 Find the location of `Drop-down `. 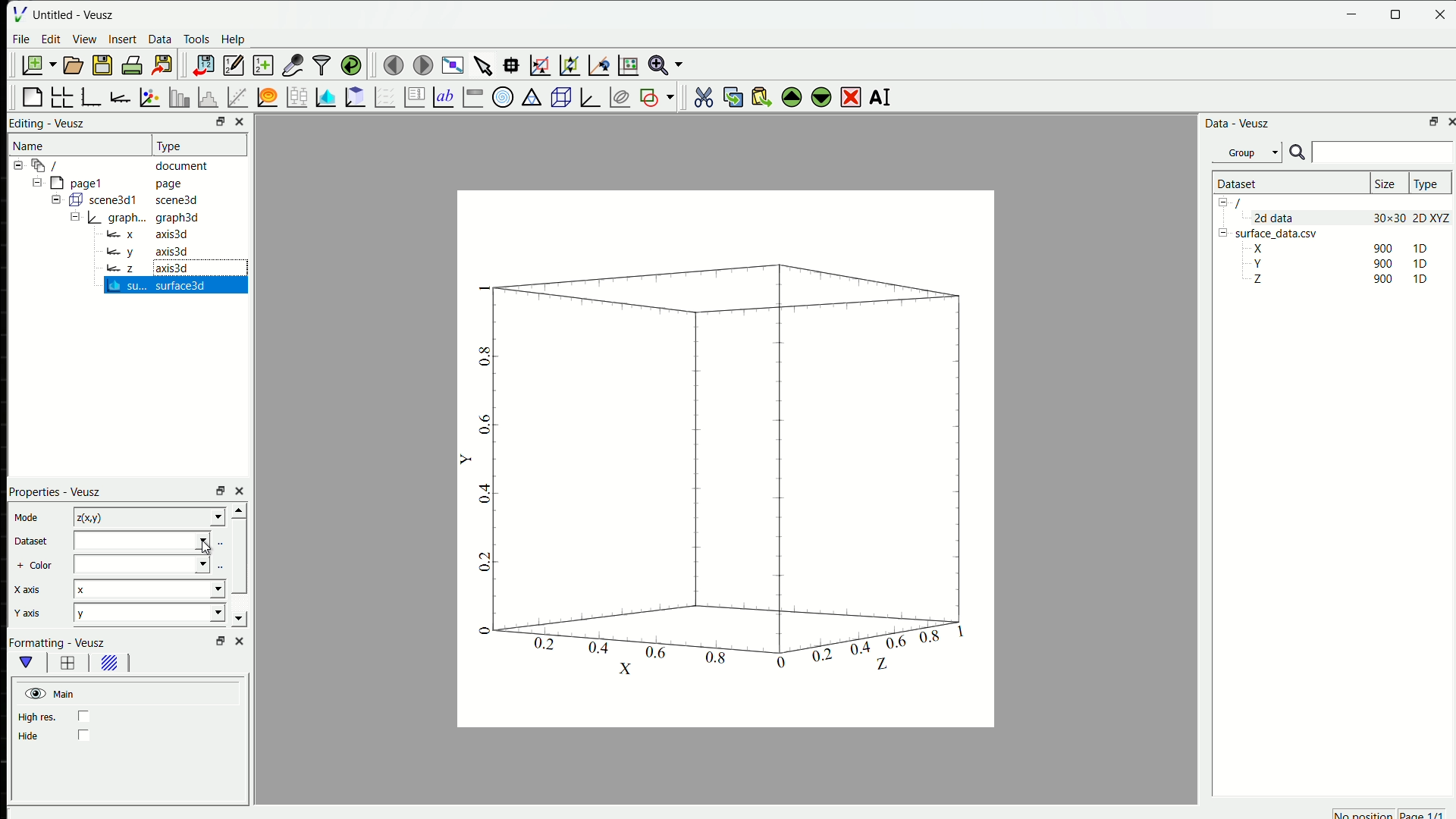

Drop-down  is located at coordinates (204, 540).